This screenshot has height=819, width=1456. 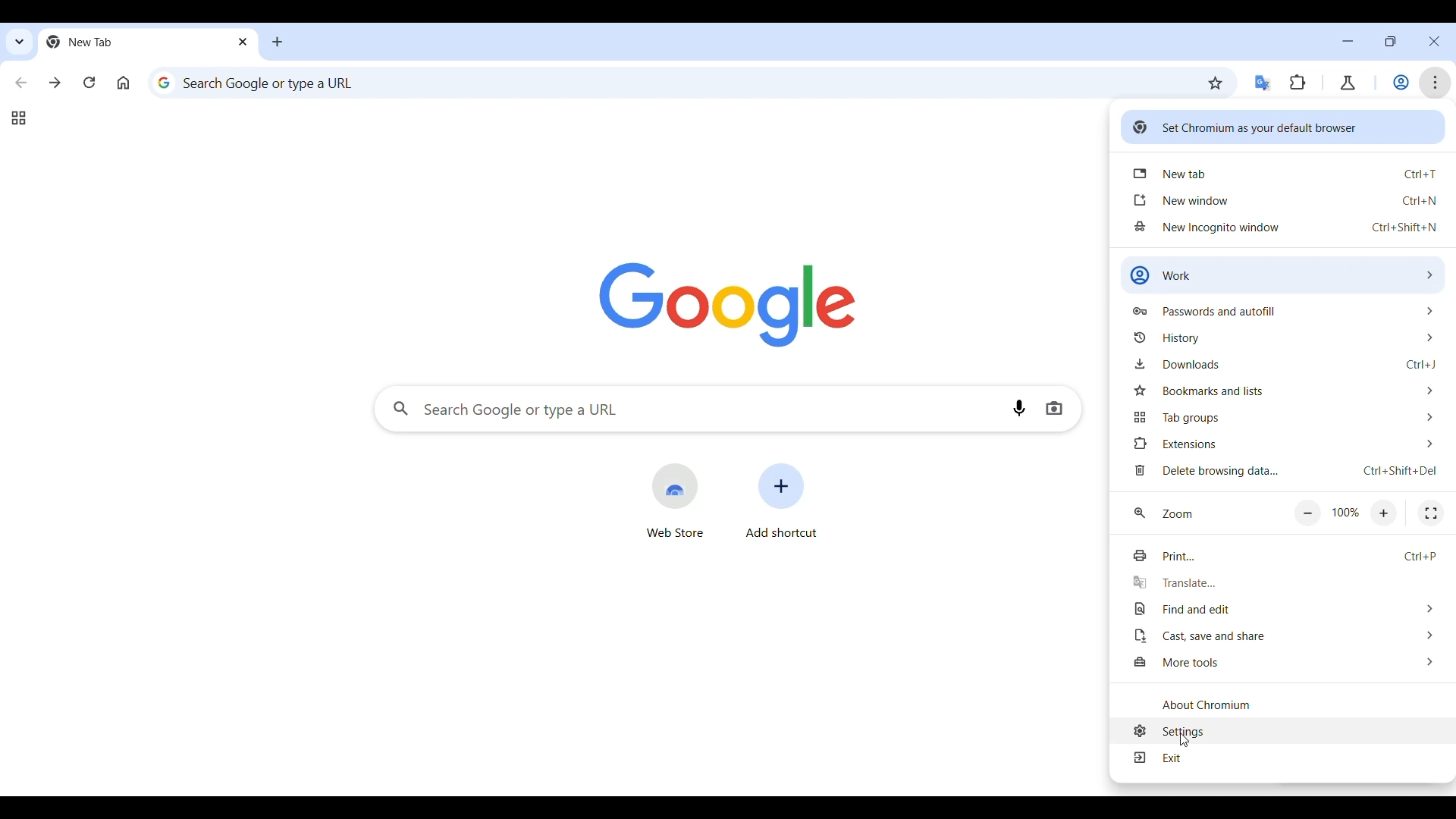 What do you see at coordinates (1183, 743) in the screenshot?
I see `Cursor clicking on settings` at bounding box center [1183, 743].